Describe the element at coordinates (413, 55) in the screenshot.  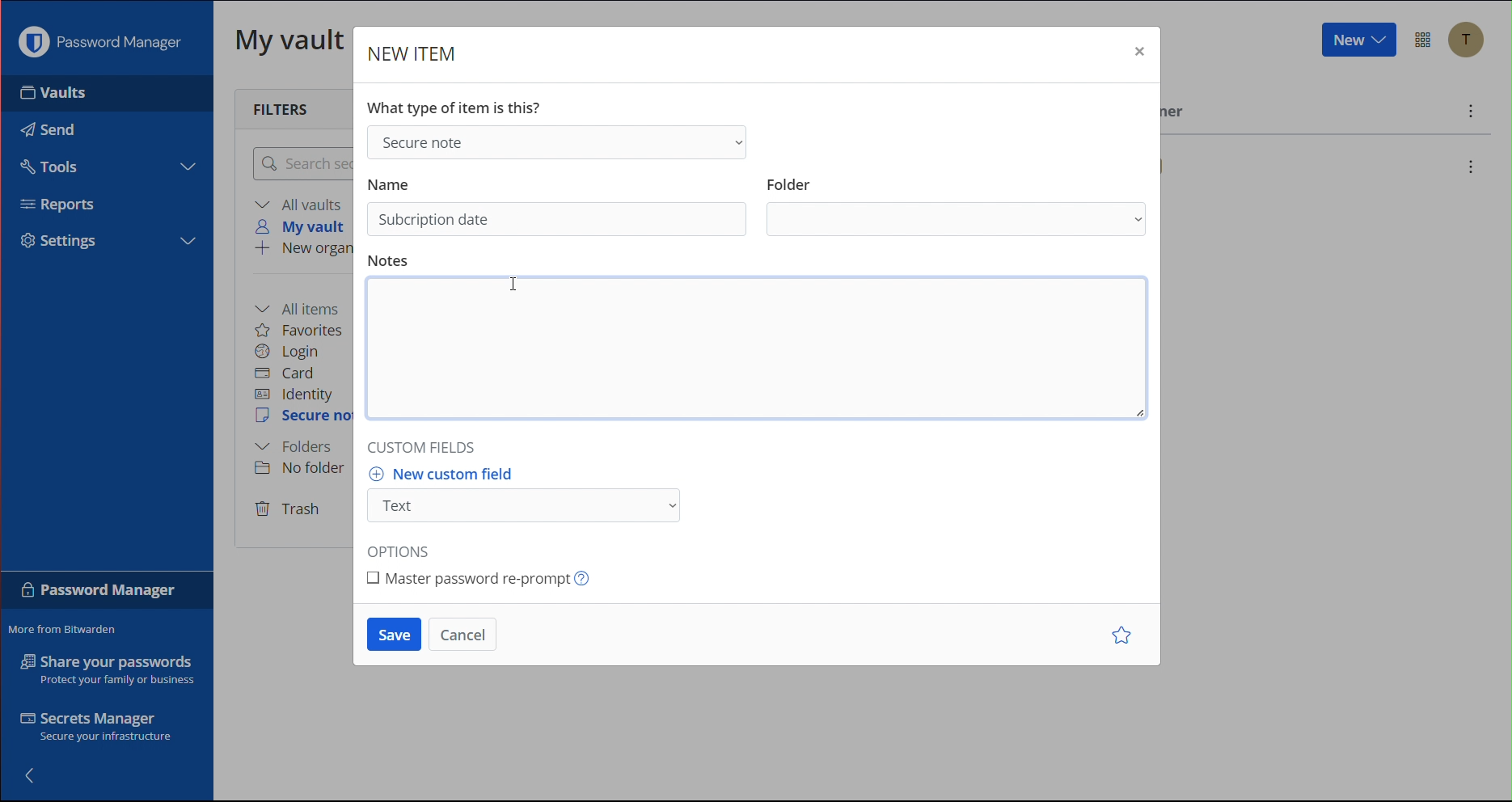
I see `New Item` at that location.